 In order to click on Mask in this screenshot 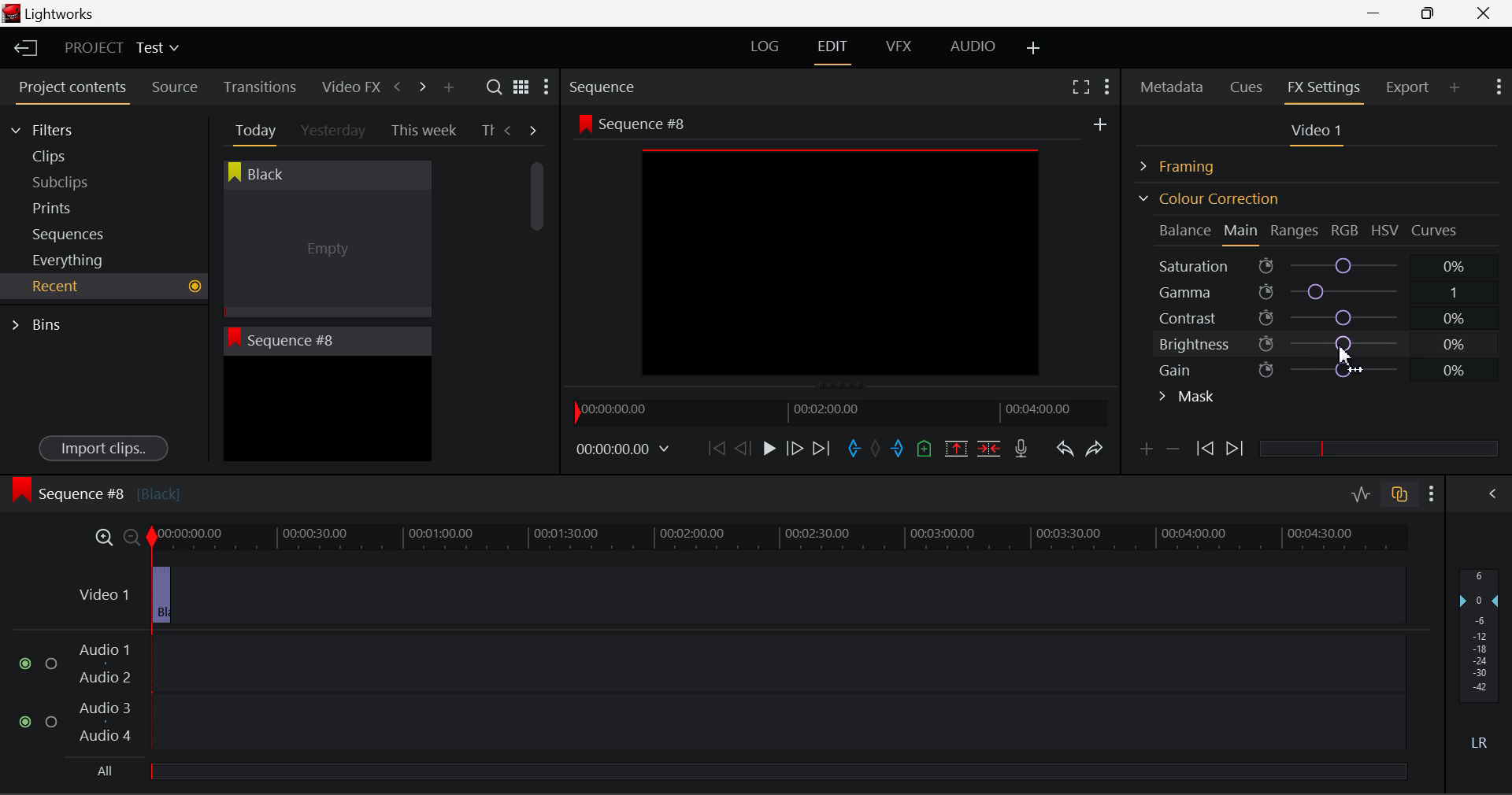, I will do `click(1188, 398)`.